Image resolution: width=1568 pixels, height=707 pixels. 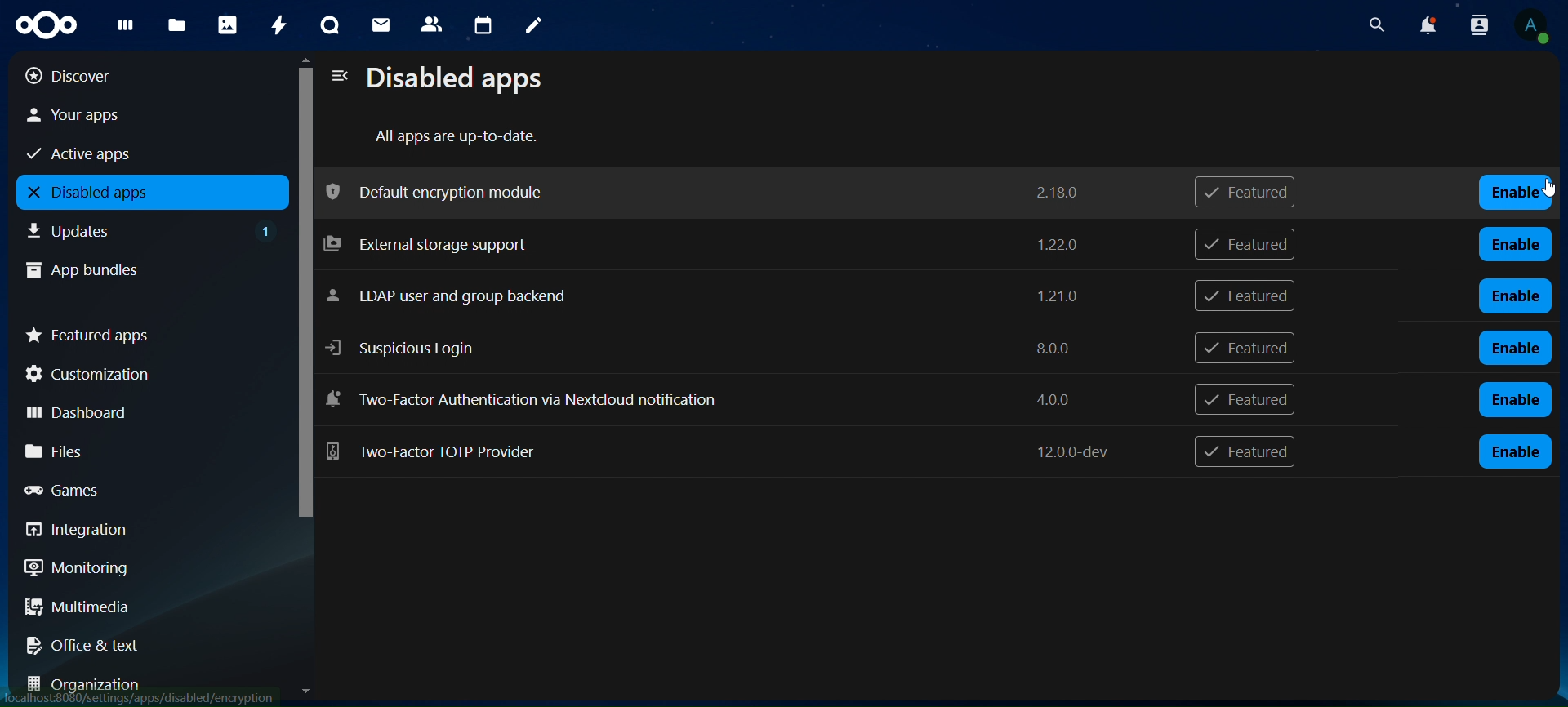 I want to click on app bundles, so click(x=136, y=268).